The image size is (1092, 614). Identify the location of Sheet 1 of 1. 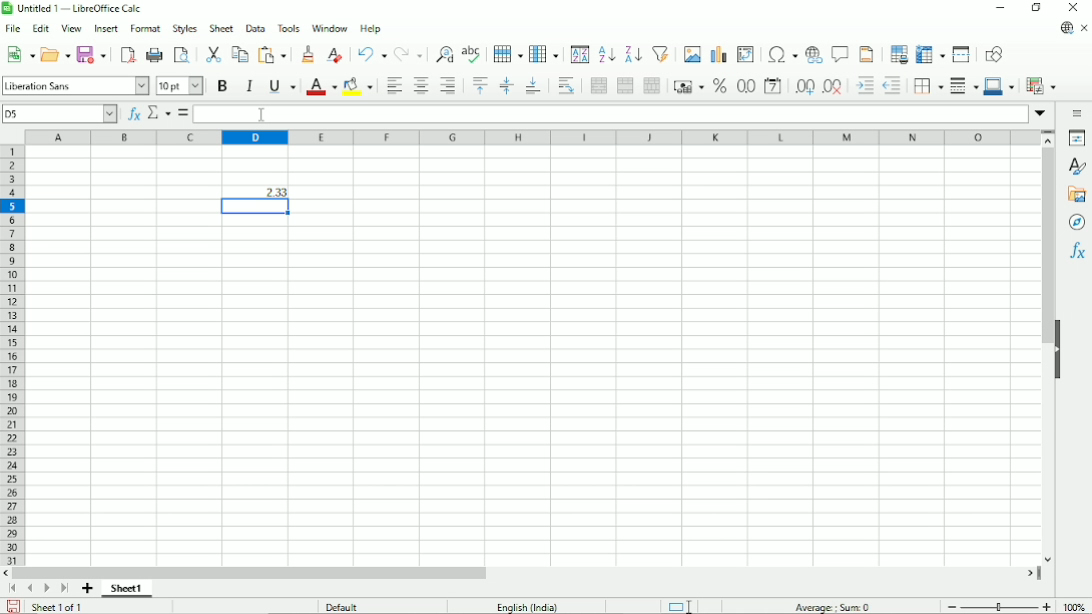
(57, 606).